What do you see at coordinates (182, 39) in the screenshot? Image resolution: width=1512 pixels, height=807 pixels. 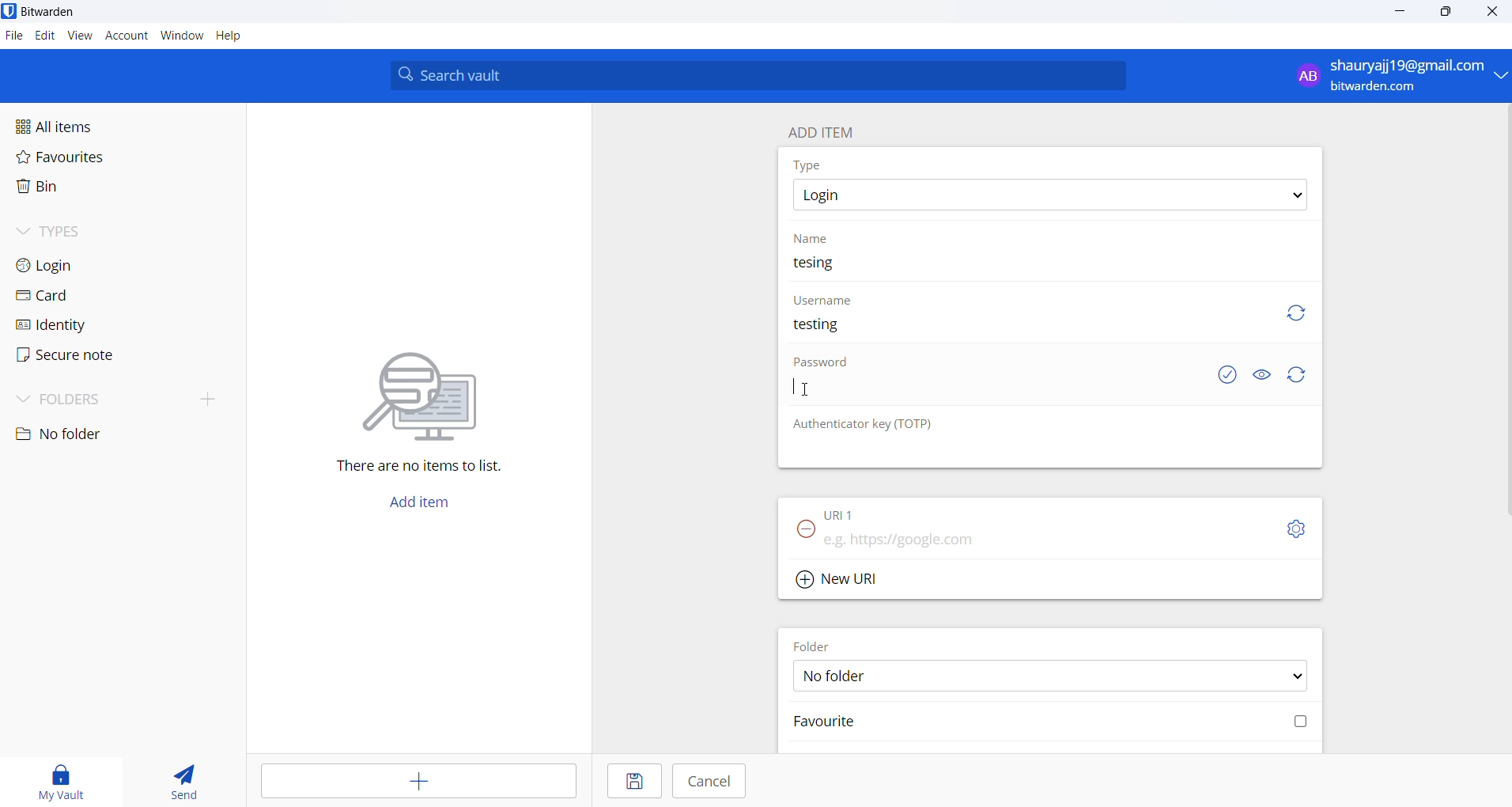 I see `Window` at bounding box center [182, 39].